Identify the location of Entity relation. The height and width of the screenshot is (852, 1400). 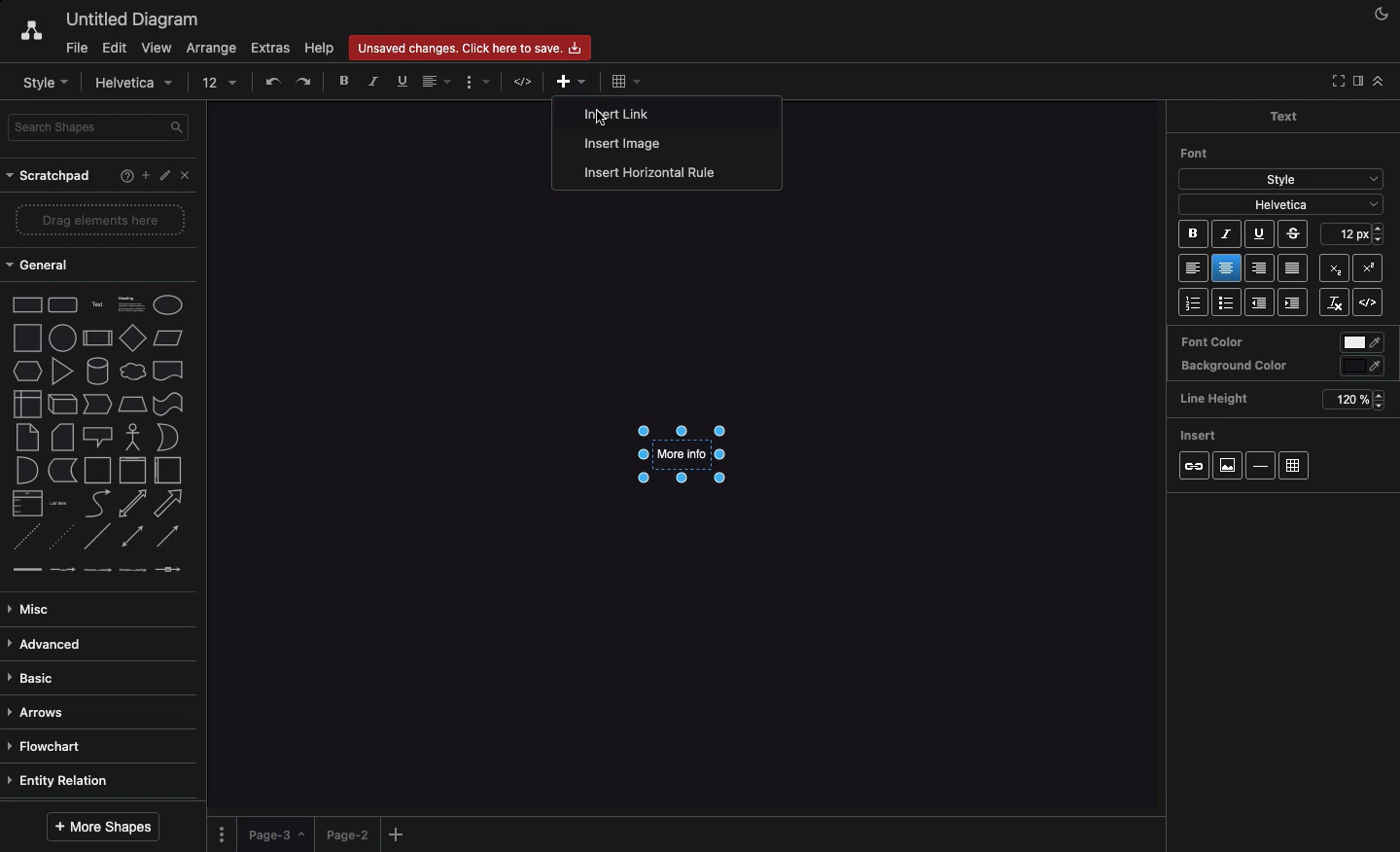
(61, 782).